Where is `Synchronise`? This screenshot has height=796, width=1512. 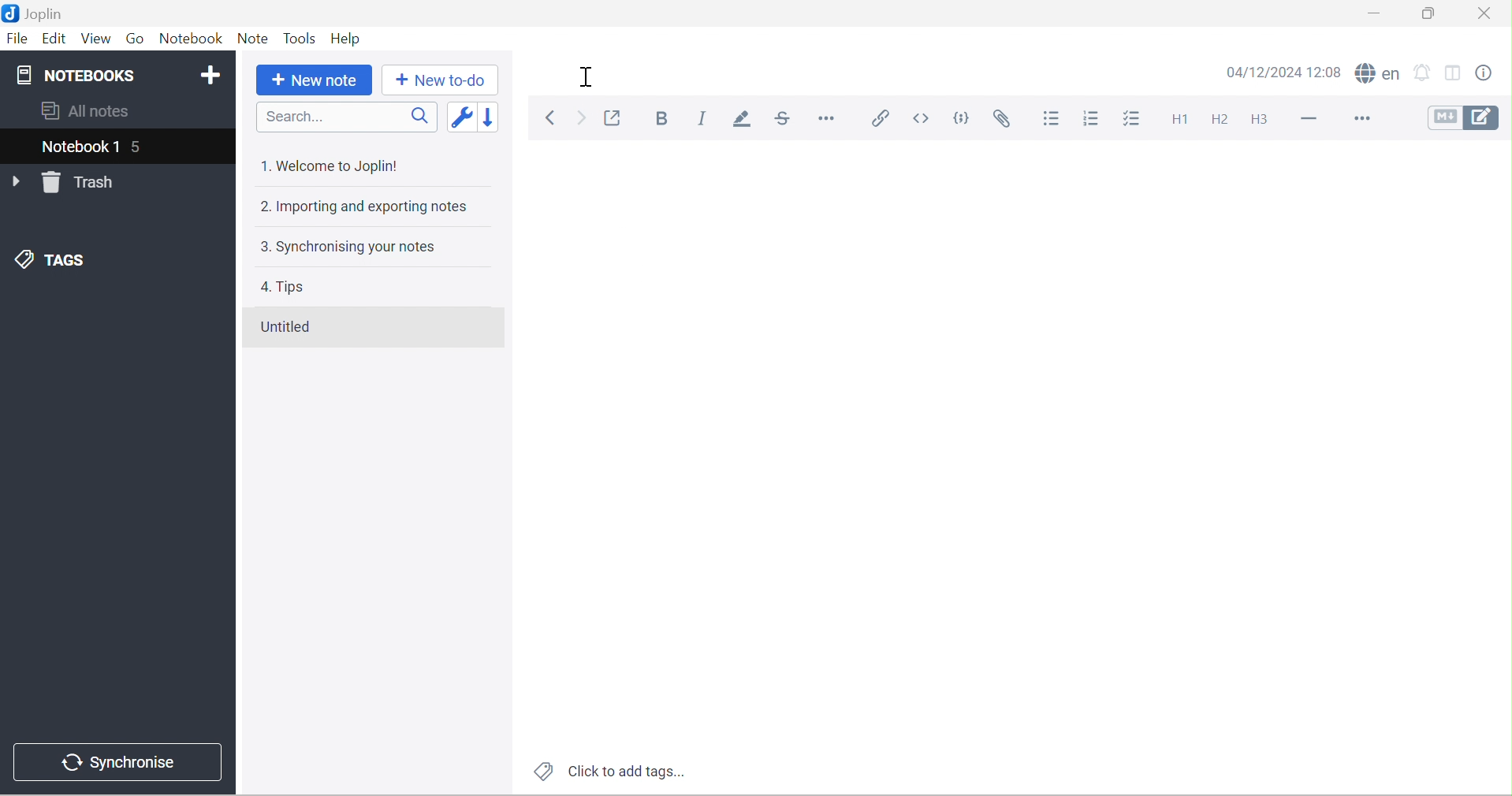
Synchronise is located at coordinates (122, 764).